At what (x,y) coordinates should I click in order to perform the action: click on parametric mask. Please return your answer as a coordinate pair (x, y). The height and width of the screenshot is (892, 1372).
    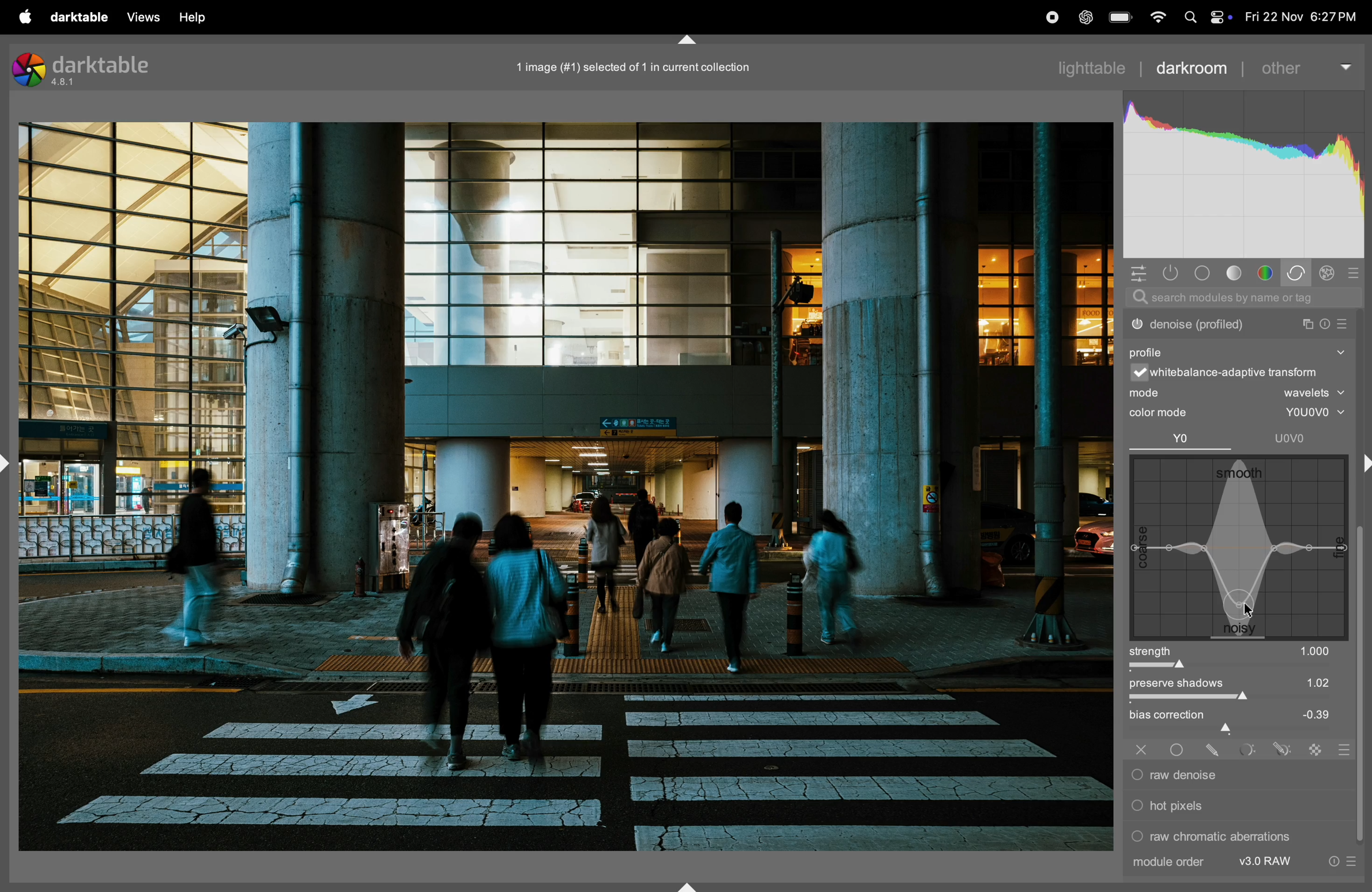
    Looking at the image, I should click on (1249, 750).